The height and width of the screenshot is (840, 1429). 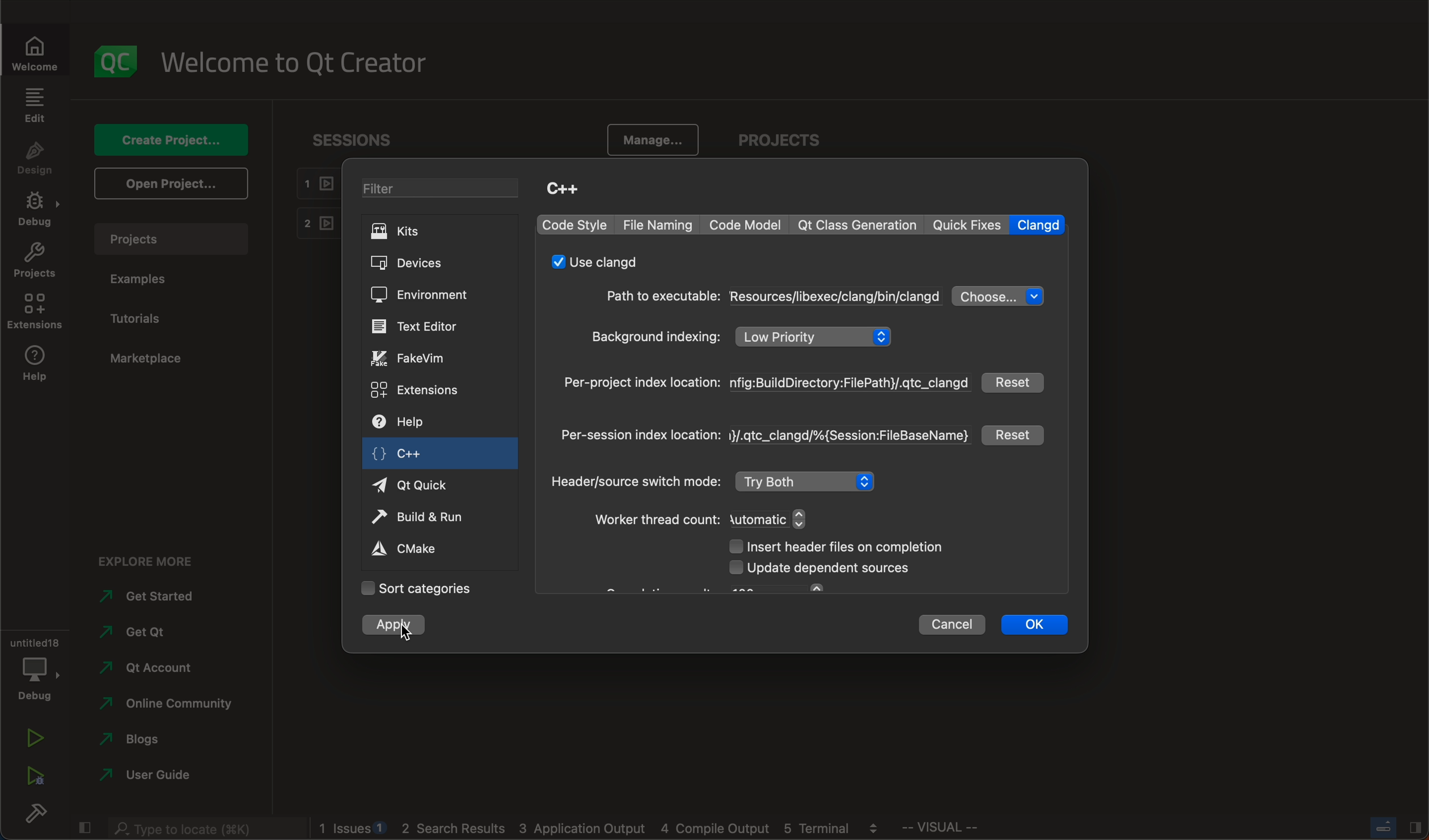 I want to click on explore, so click(x=155, y=560).